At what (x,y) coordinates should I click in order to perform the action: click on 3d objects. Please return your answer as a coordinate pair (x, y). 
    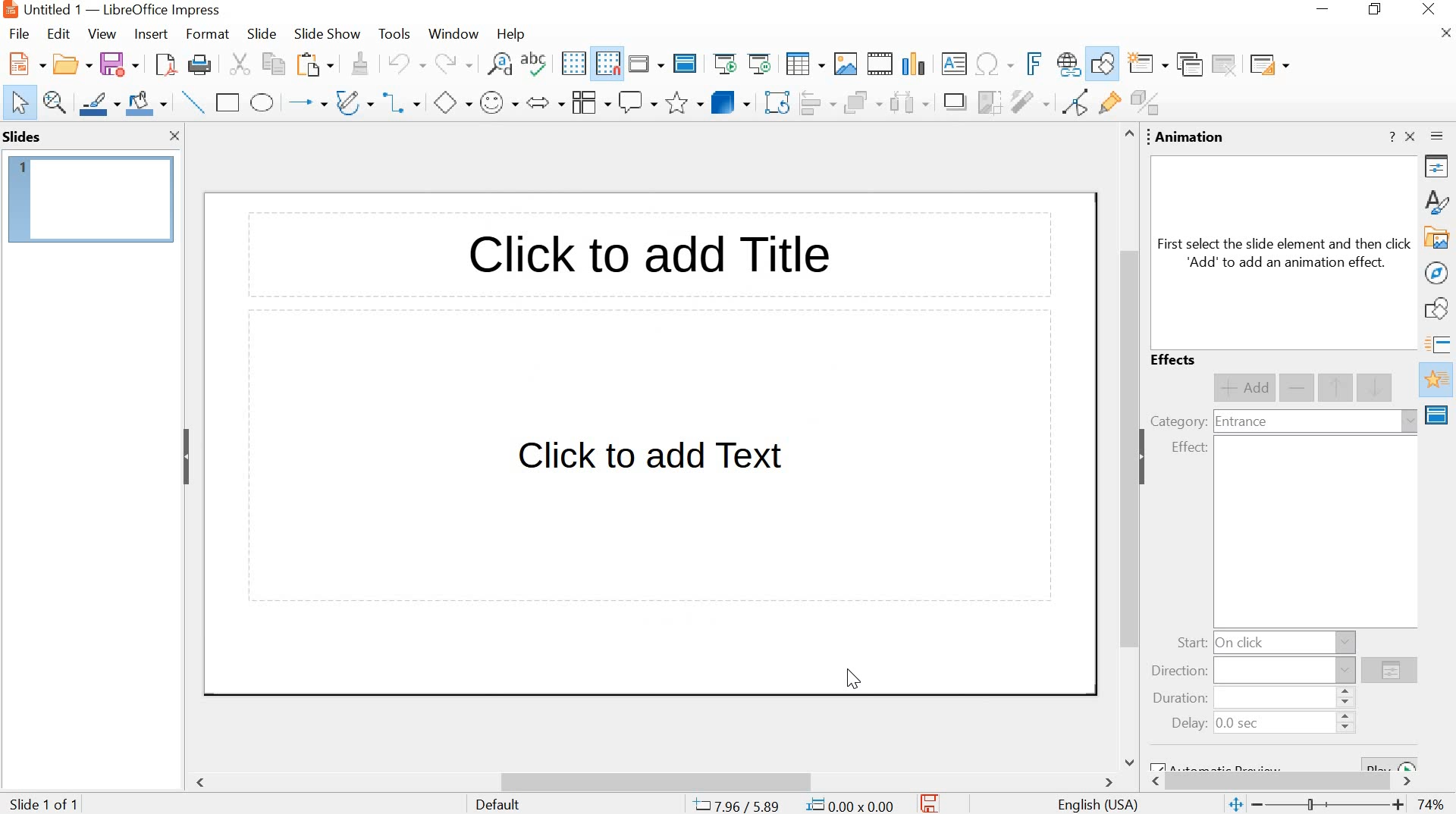
    Looking at the image, I should click on (730, 102).